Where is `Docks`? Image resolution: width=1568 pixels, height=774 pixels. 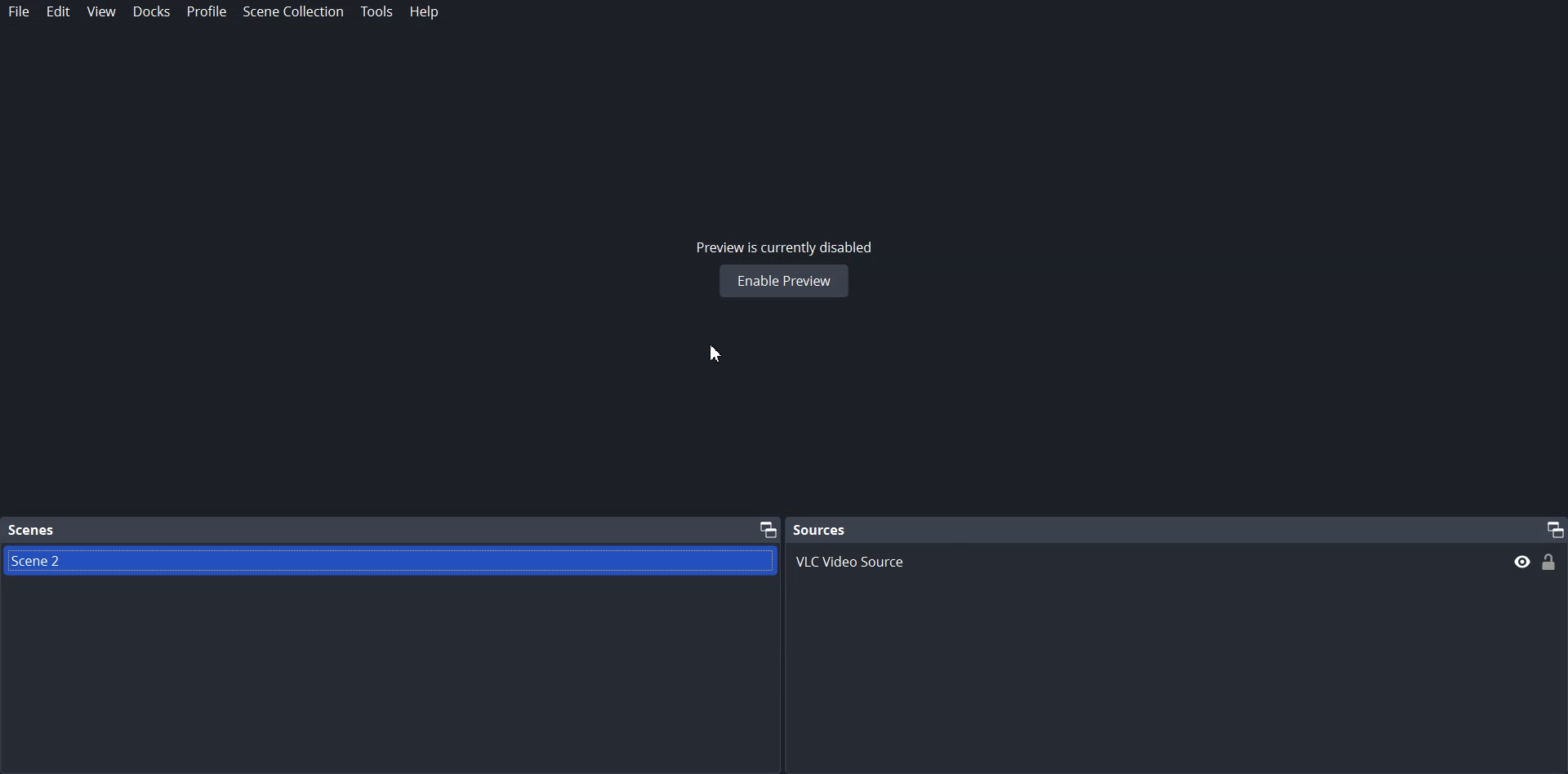
Docks is located at coordinates (151, 12).